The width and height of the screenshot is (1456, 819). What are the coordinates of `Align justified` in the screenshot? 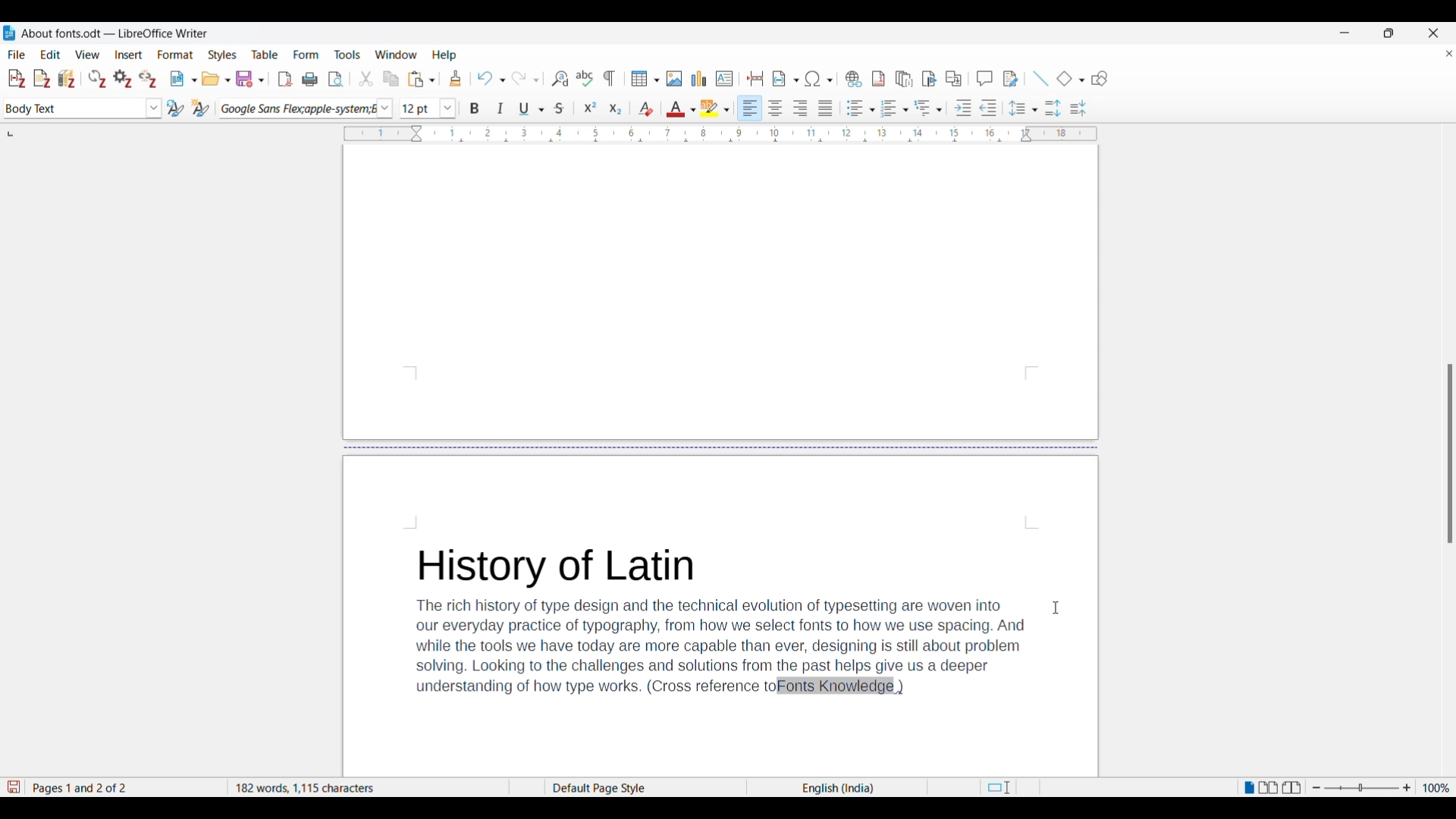 It's located at (826, 108).